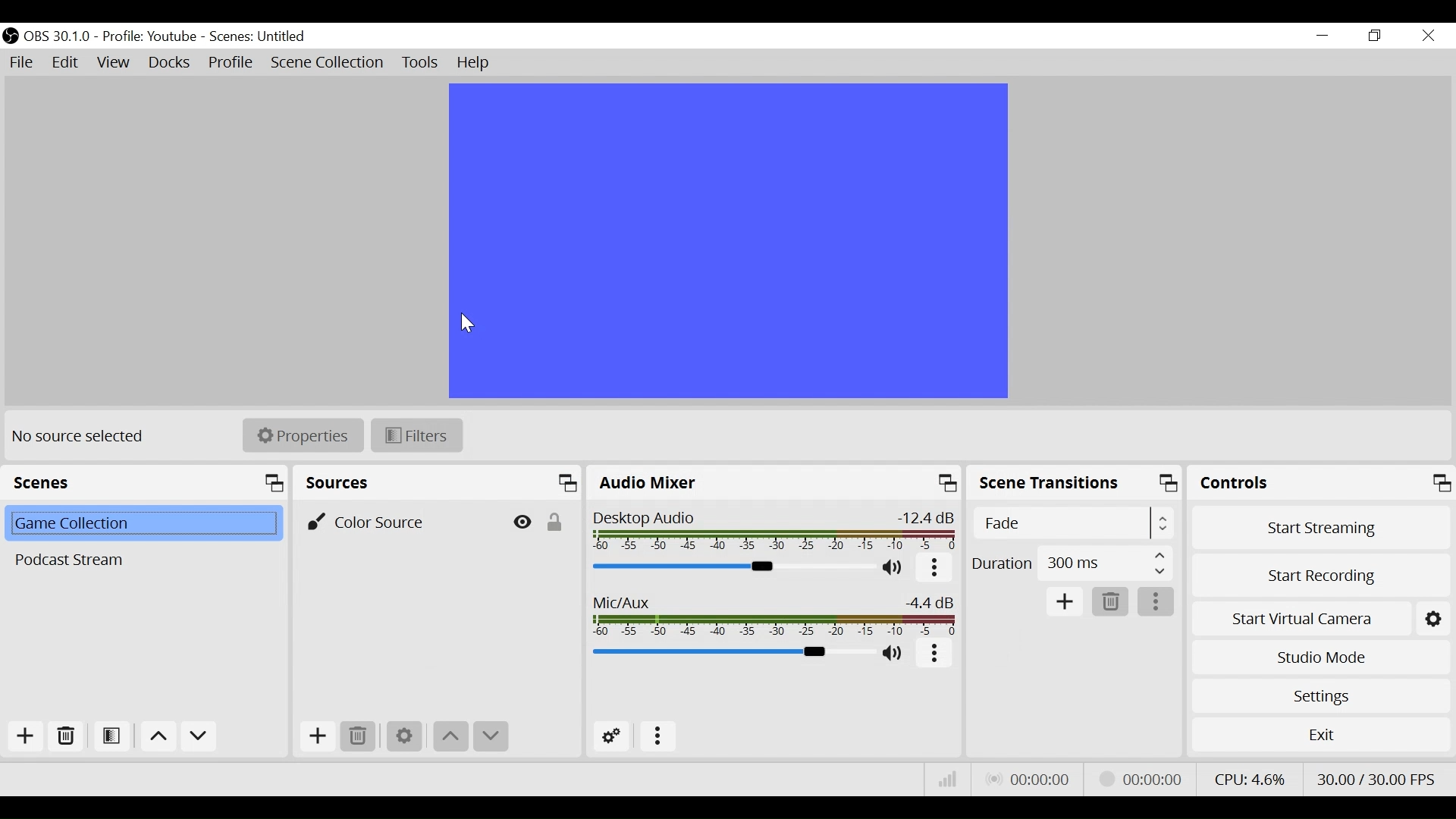  Describe the element at coordinates (1144, 779) in the screenshot. I see `Stream ` at that location.